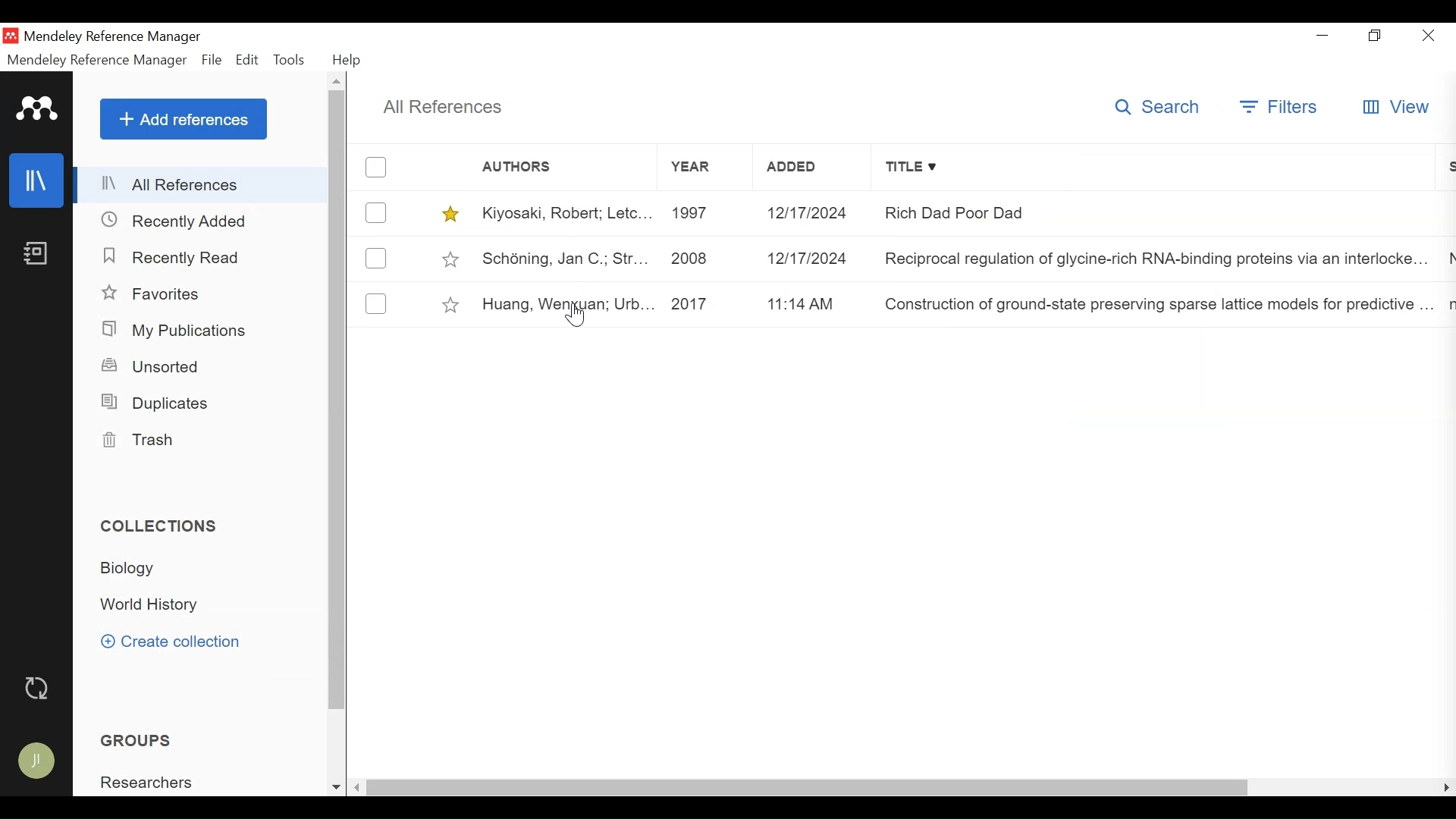  What do you see at coordinates (452, 306) in the screenshot?
I see `Toggle Favorites` at bounding box center [452, 306].